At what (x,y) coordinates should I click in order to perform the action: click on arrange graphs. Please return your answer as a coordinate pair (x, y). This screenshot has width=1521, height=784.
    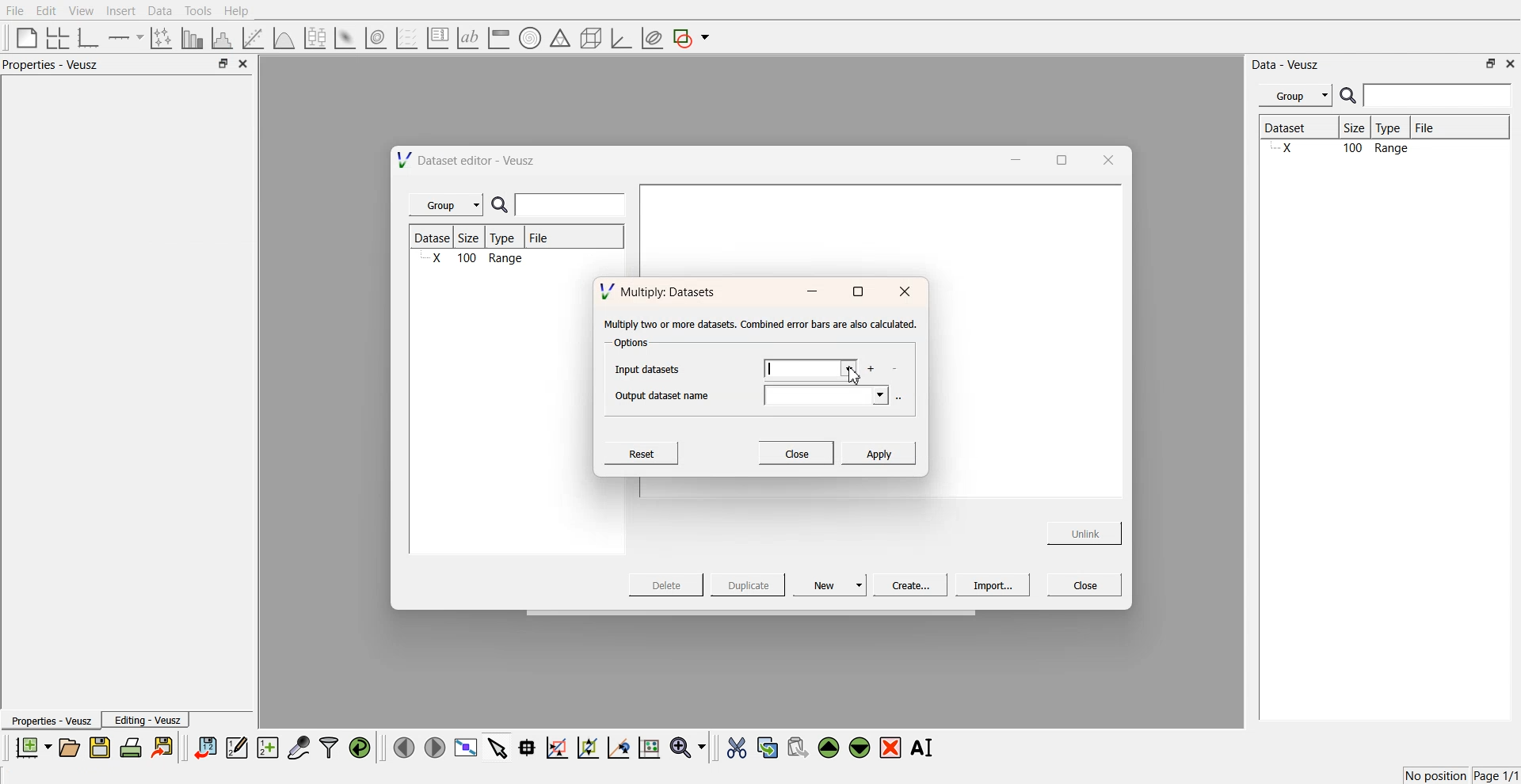
    Looking at the image, I should click on (55, 37).